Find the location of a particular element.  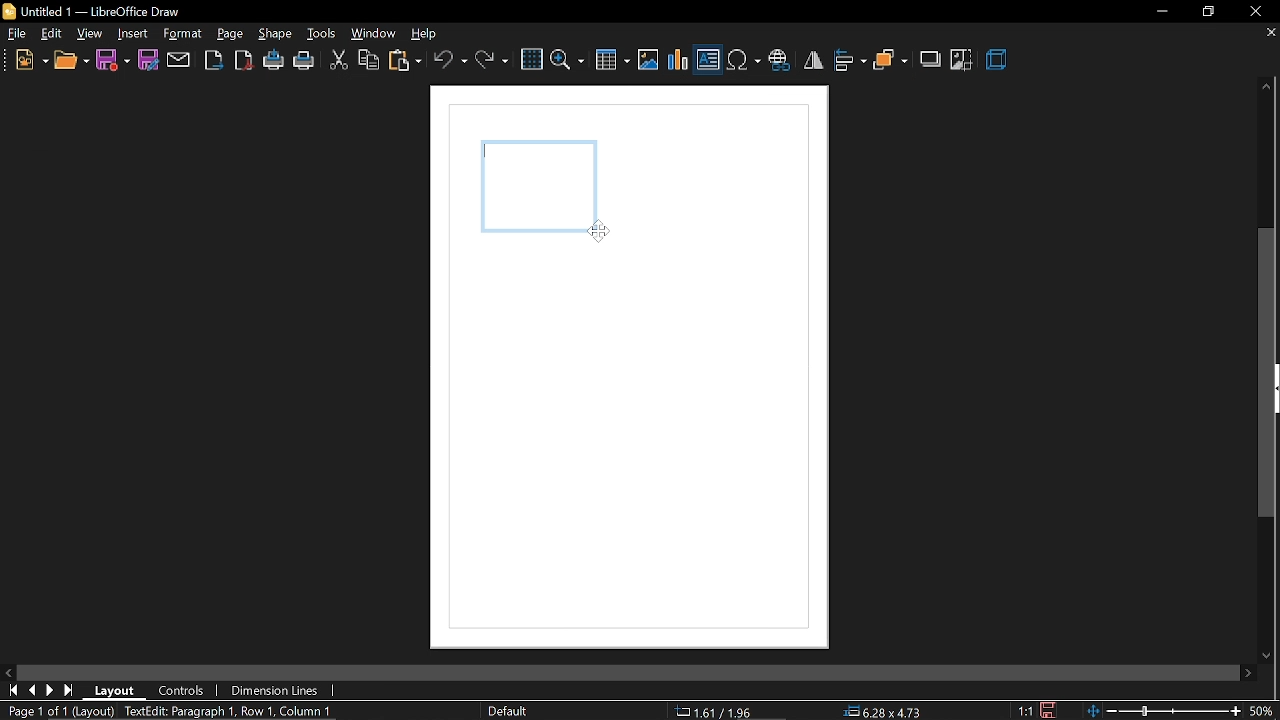

export as pdf is located at coordinates (243, 60).